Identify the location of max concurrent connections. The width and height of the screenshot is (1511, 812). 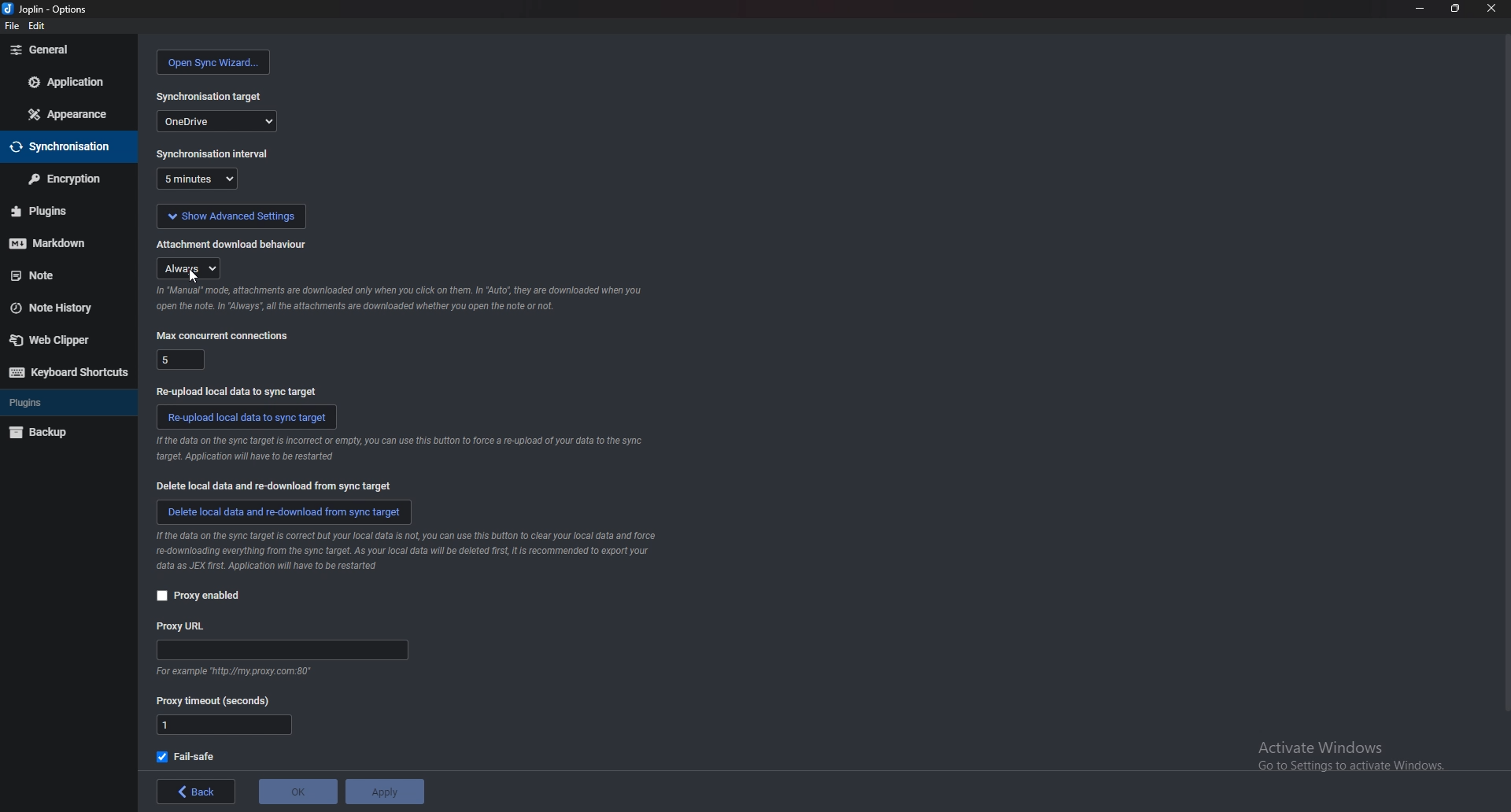
(224, 335).